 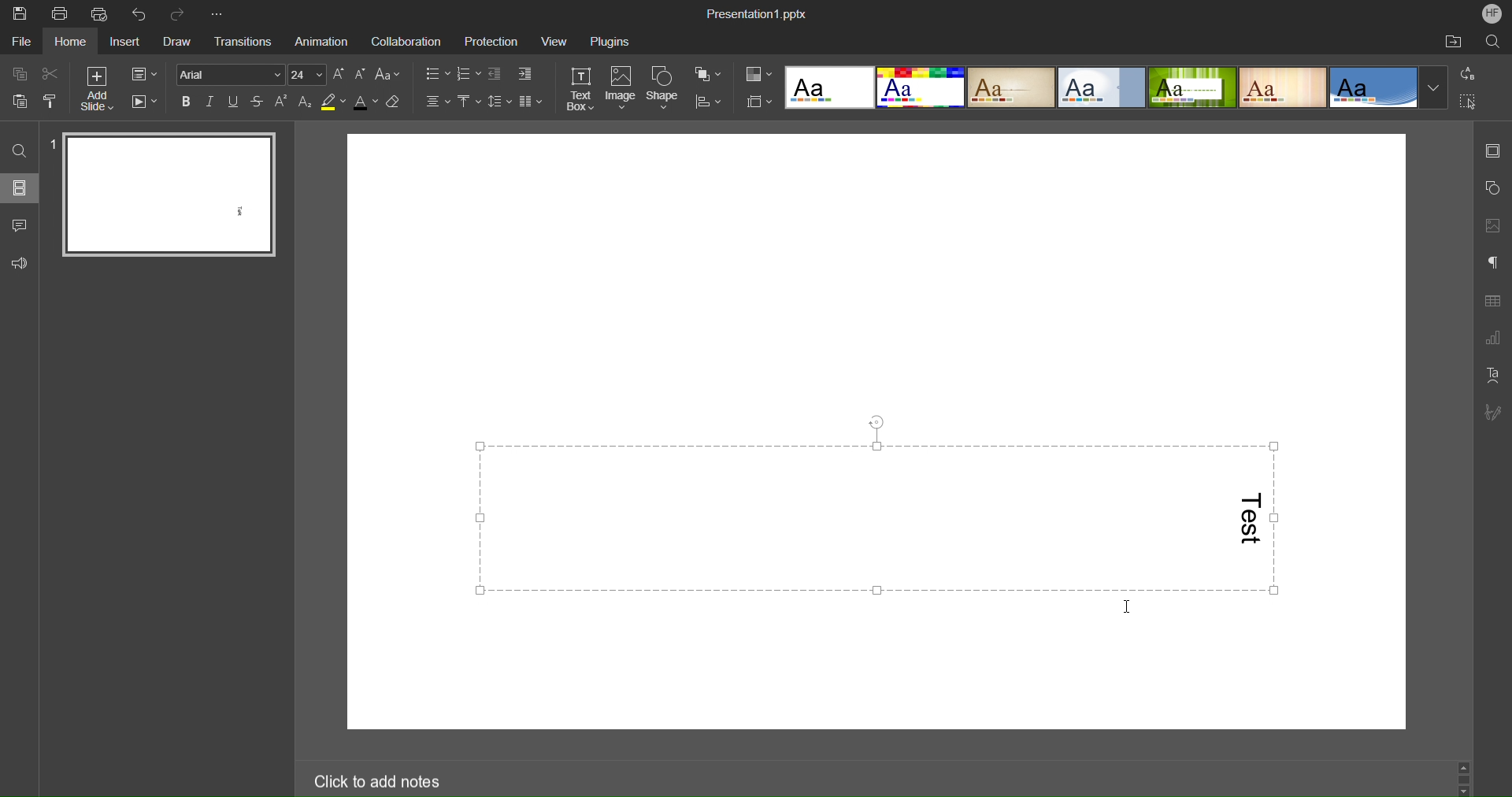 I want to click on Draw, so click(x=183, y=41).